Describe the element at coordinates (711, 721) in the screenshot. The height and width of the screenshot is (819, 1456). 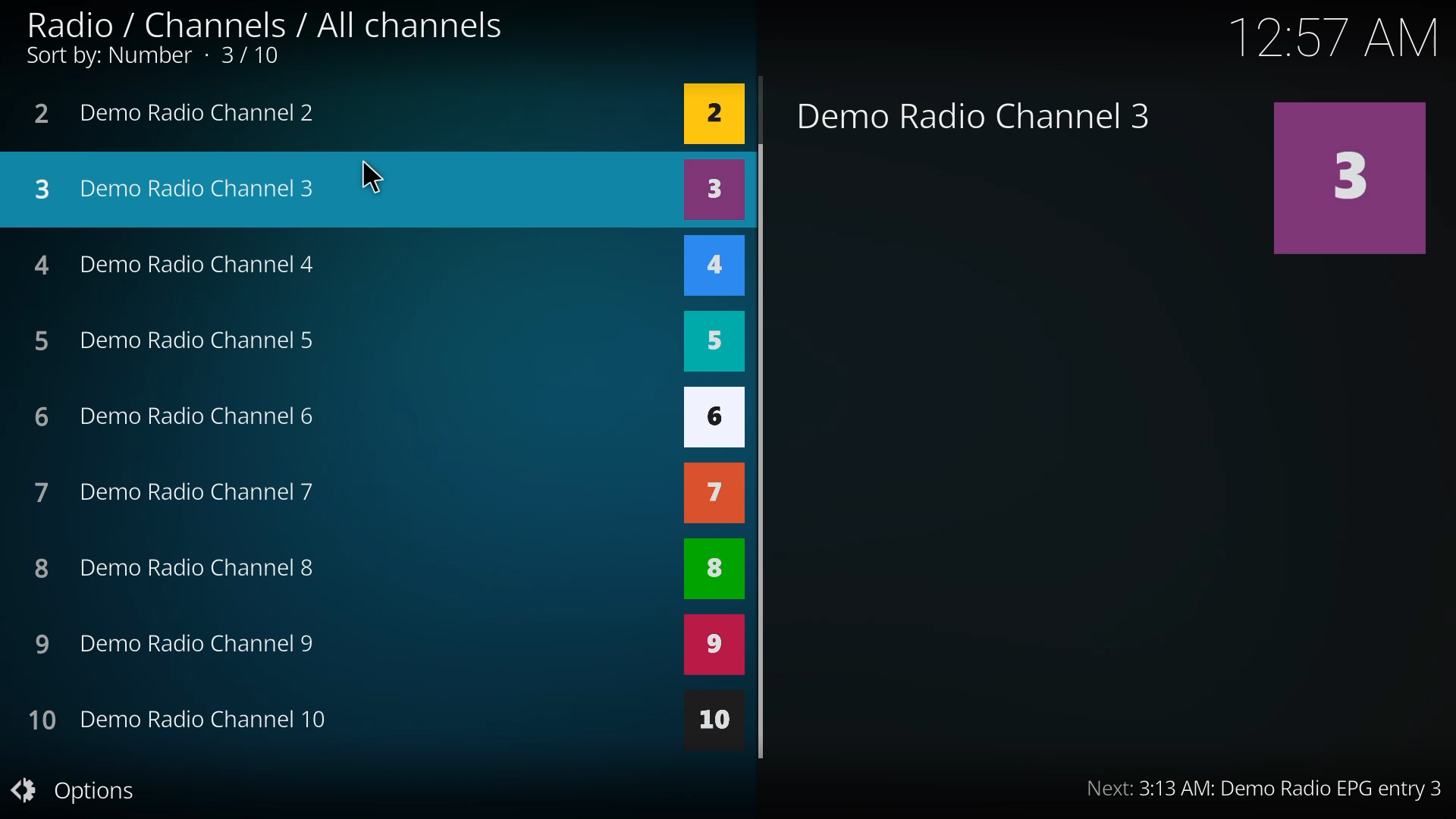
I see `10` at that location.